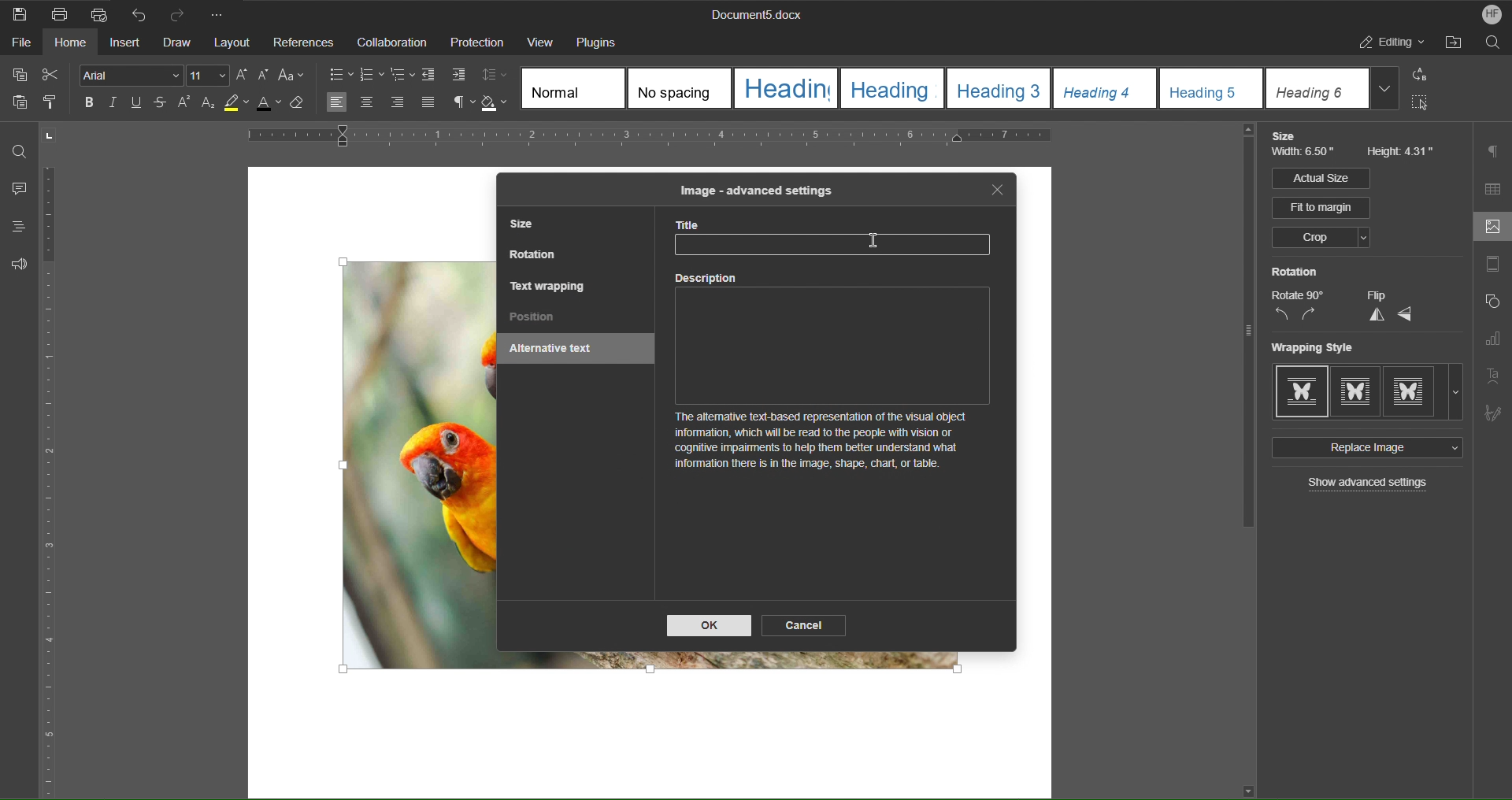 This screenshot has height=800, width=1512. I want to click on Headings, so click(13, 227).